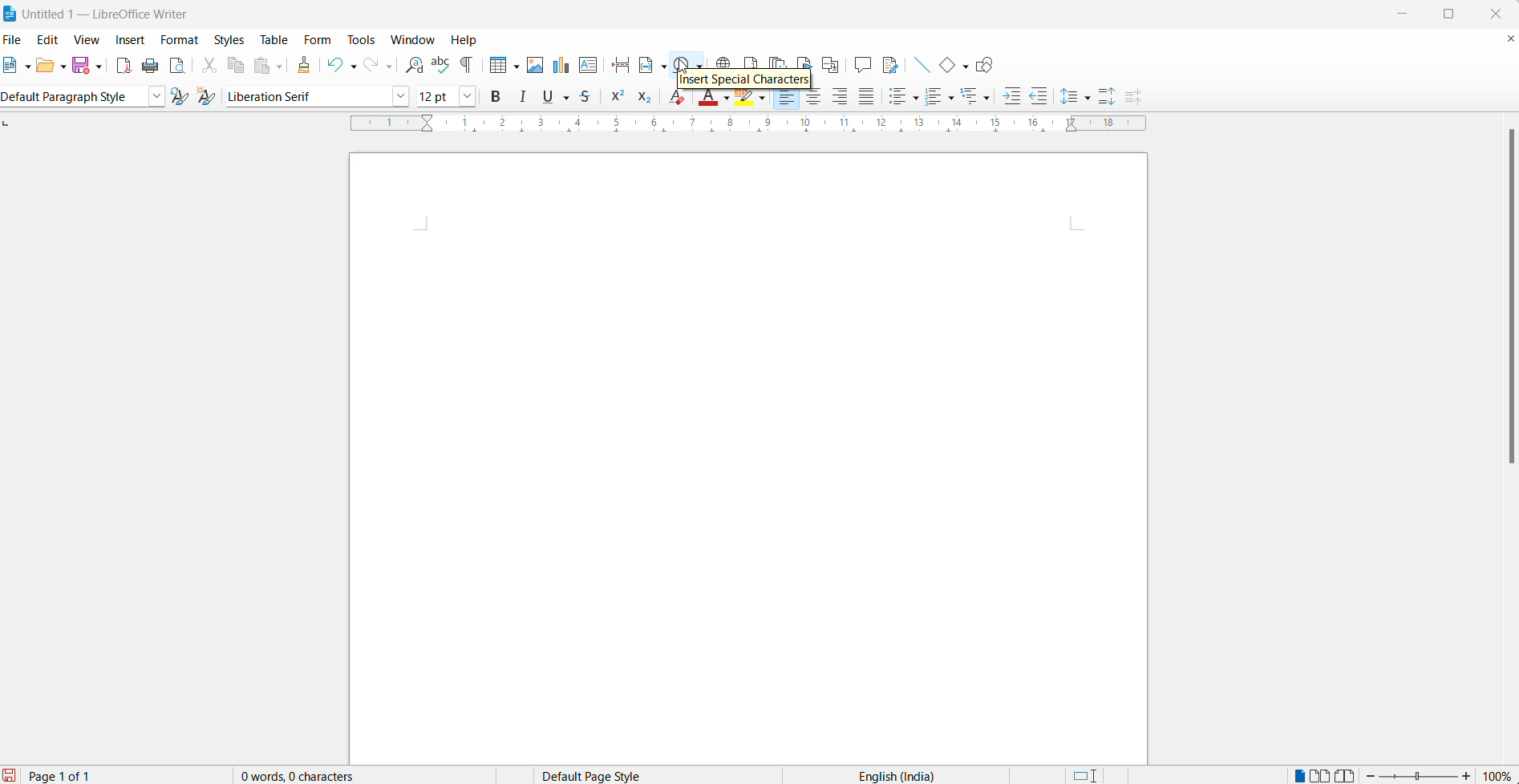 The width and height of the screenshot is (1519, 784). I want to click on paragraph style, so click(152, 97).